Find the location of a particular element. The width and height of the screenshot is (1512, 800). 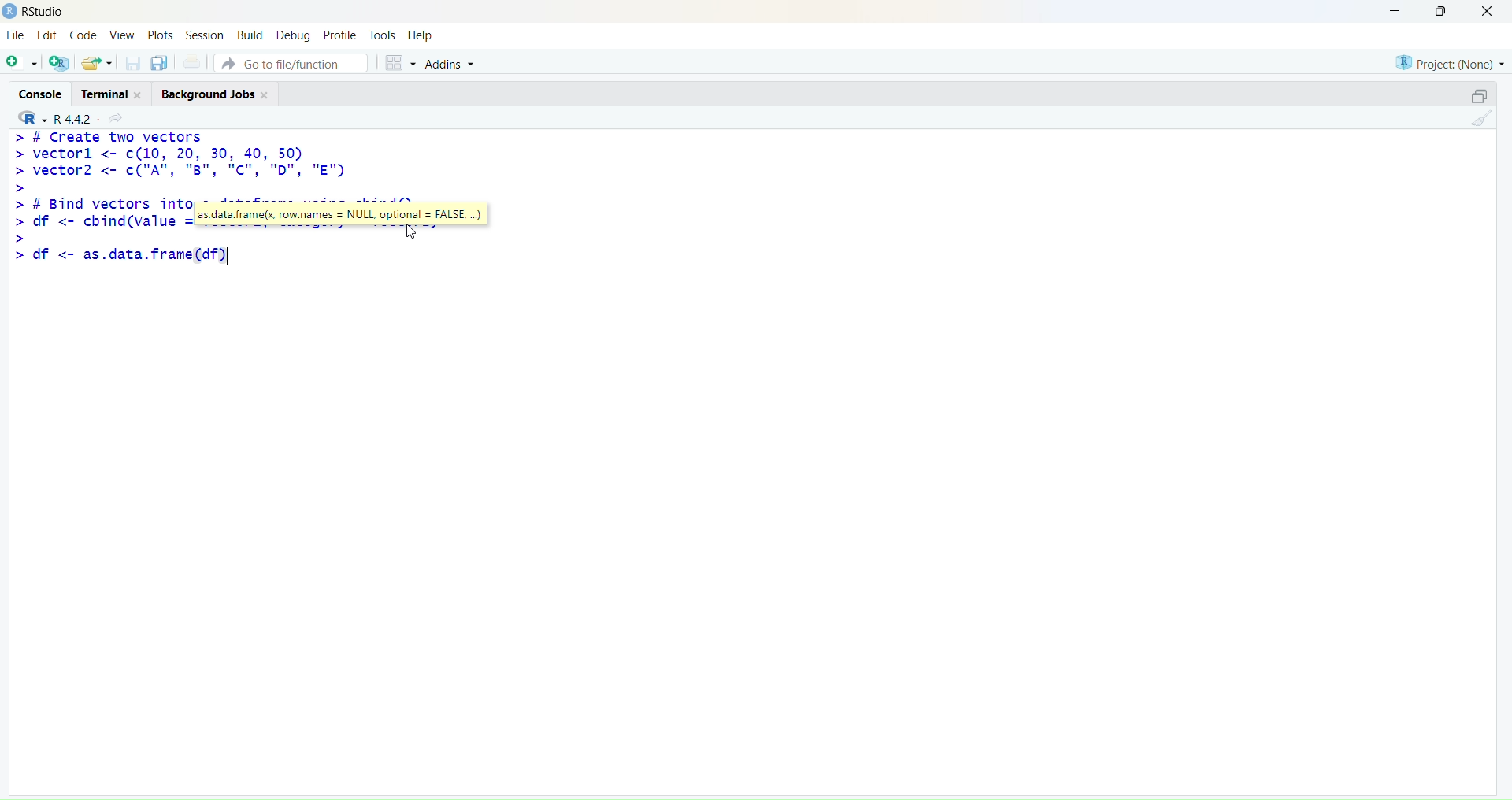

Plots is located at coordinates (160, 35).